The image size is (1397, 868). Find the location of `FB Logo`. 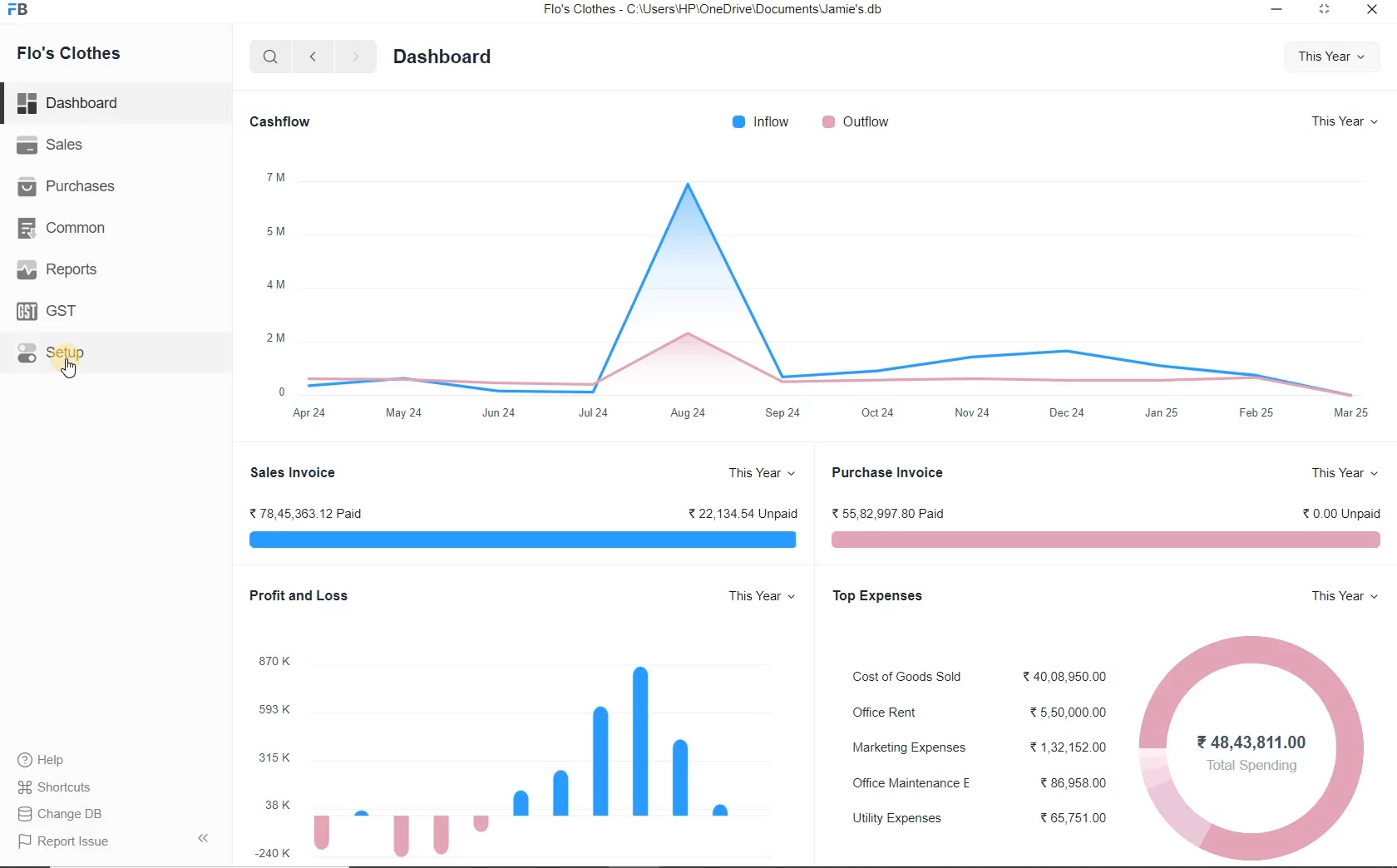

FB Logo is located at coordinates (17, 10).